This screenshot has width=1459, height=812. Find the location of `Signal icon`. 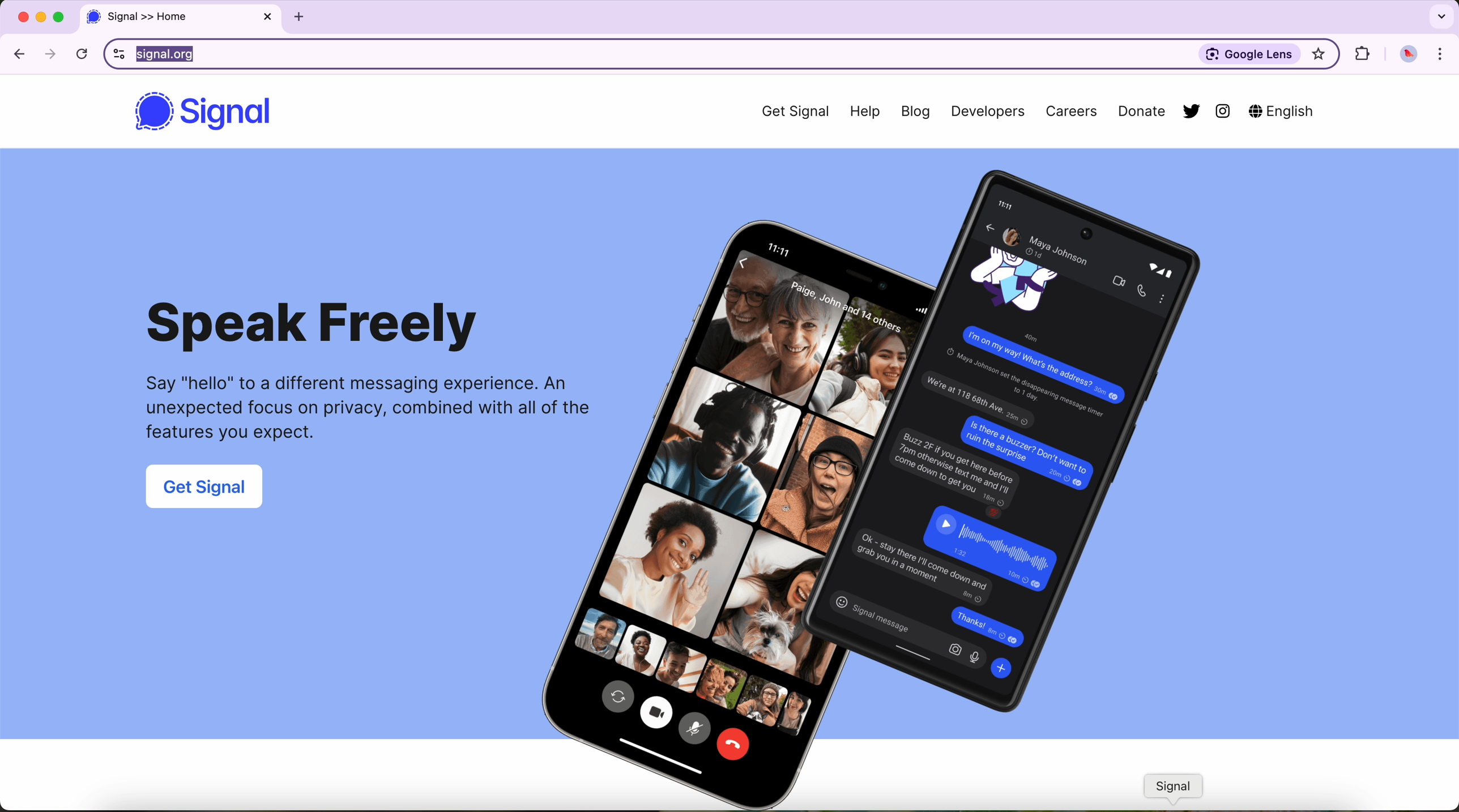

Signal icon is located at coordinates (1176, 789).